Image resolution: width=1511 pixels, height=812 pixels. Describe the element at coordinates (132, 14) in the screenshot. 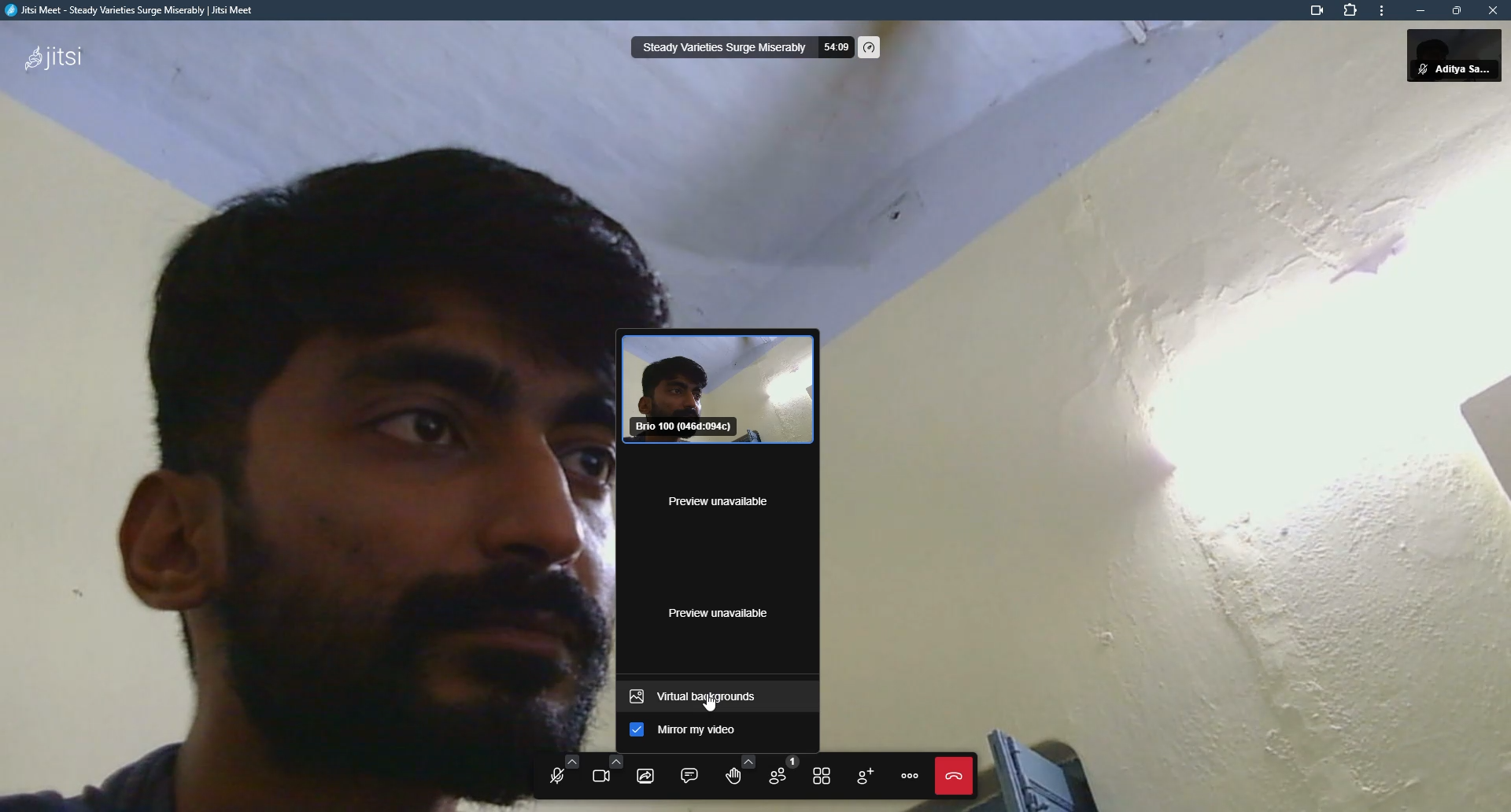

I see `jitsi` at that location.